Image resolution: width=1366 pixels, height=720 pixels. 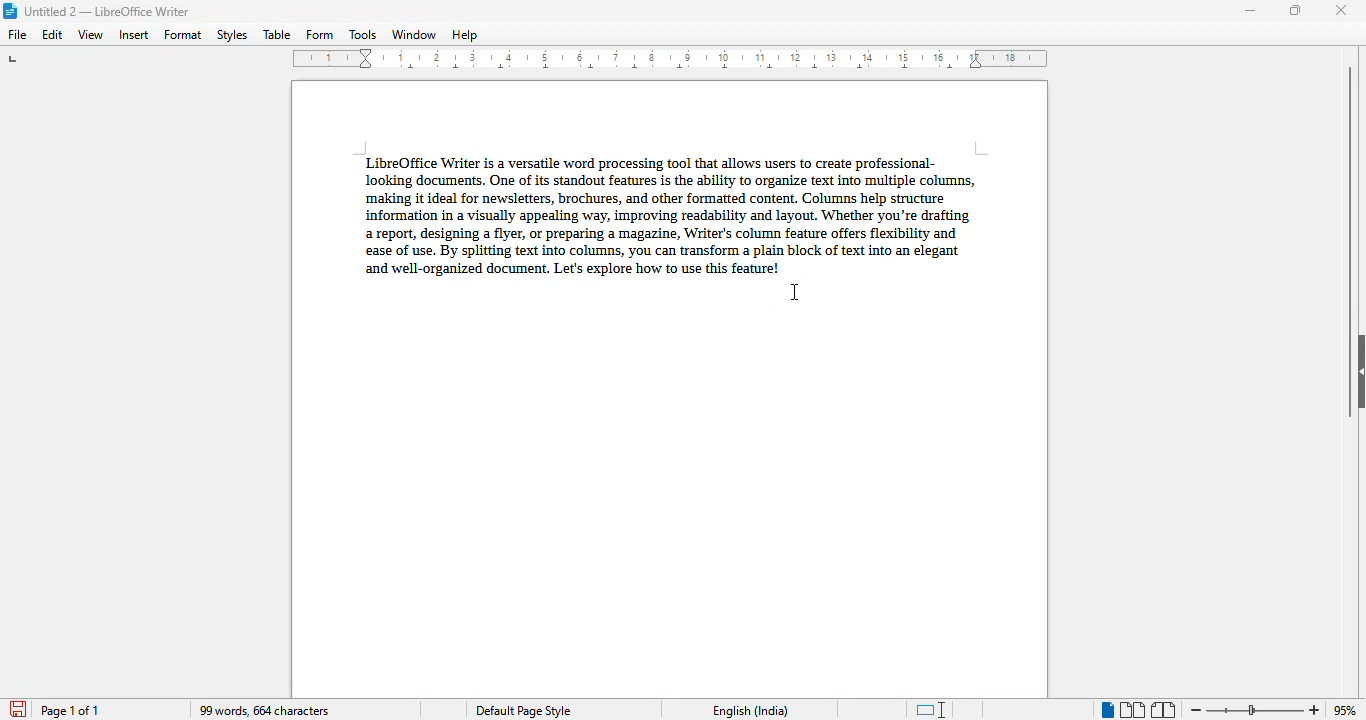 What do you see at coordinates (320, 35) in the screenshot?
I see `form` at bounding box center [320, 35].